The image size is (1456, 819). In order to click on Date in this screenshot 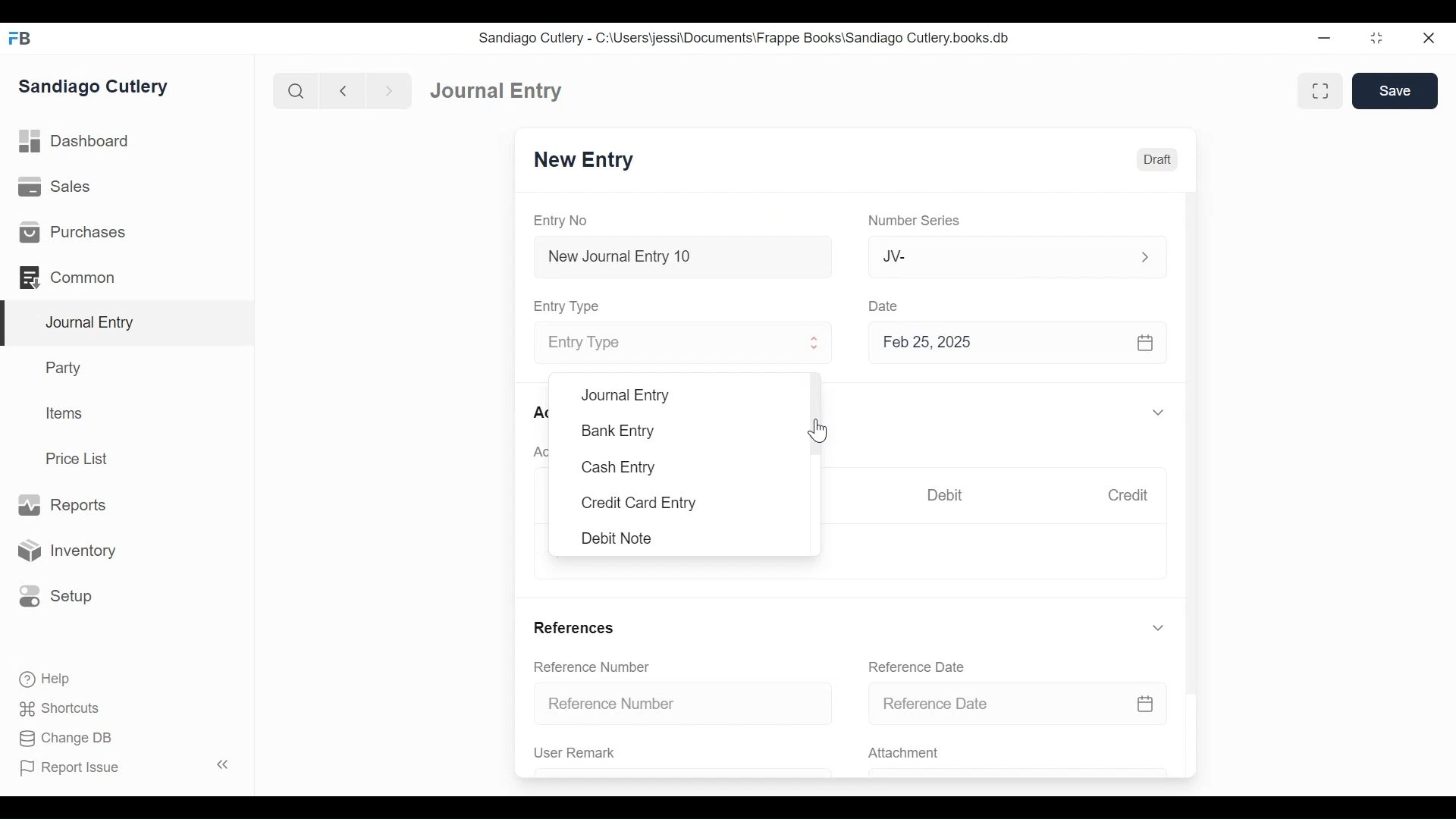, I will do `click(886, 306)`.